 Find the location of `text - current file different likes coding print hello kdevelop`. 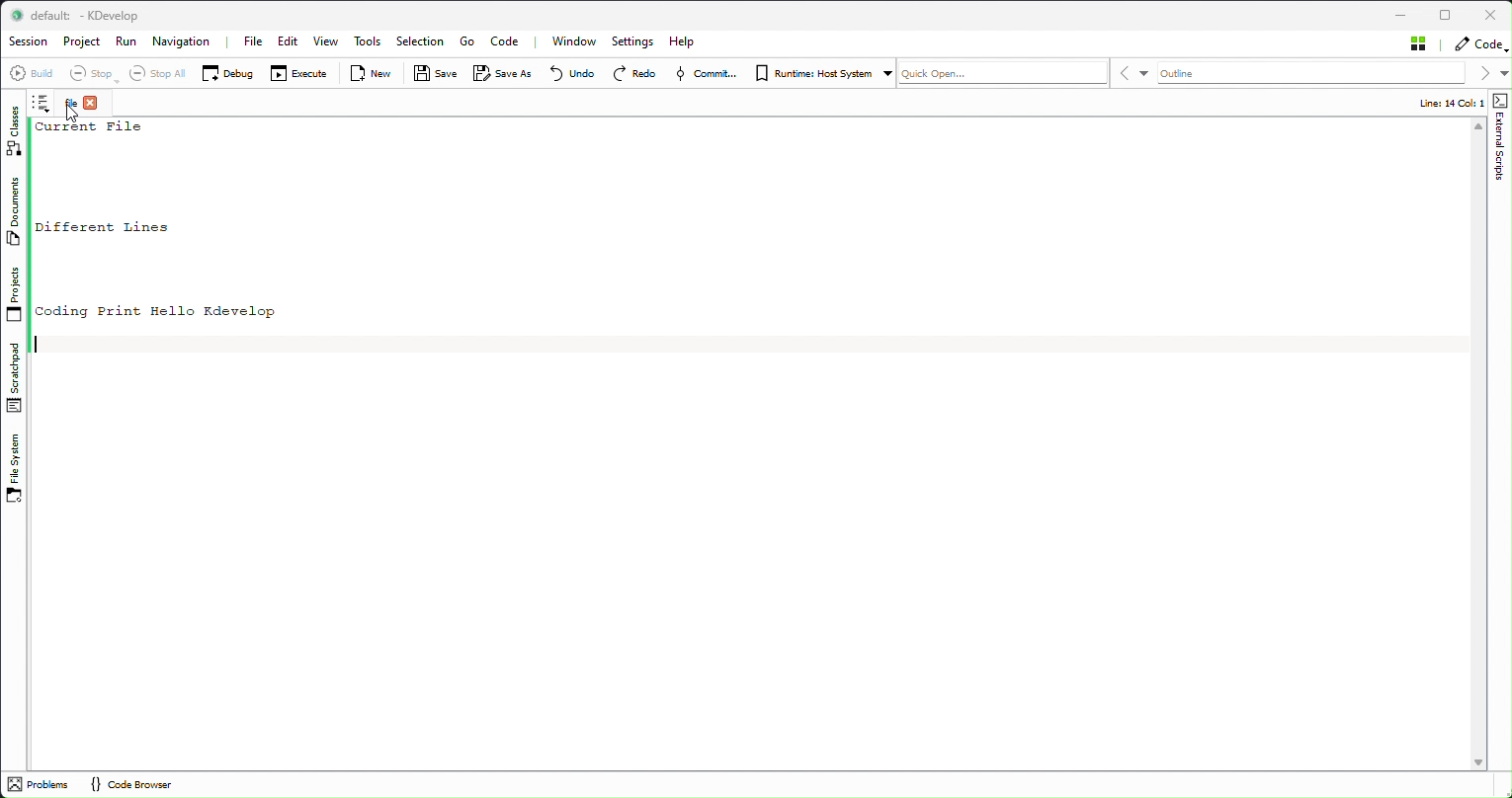

text - current file different likes coding print hello kdevelop is located at coordinates (170, 219).